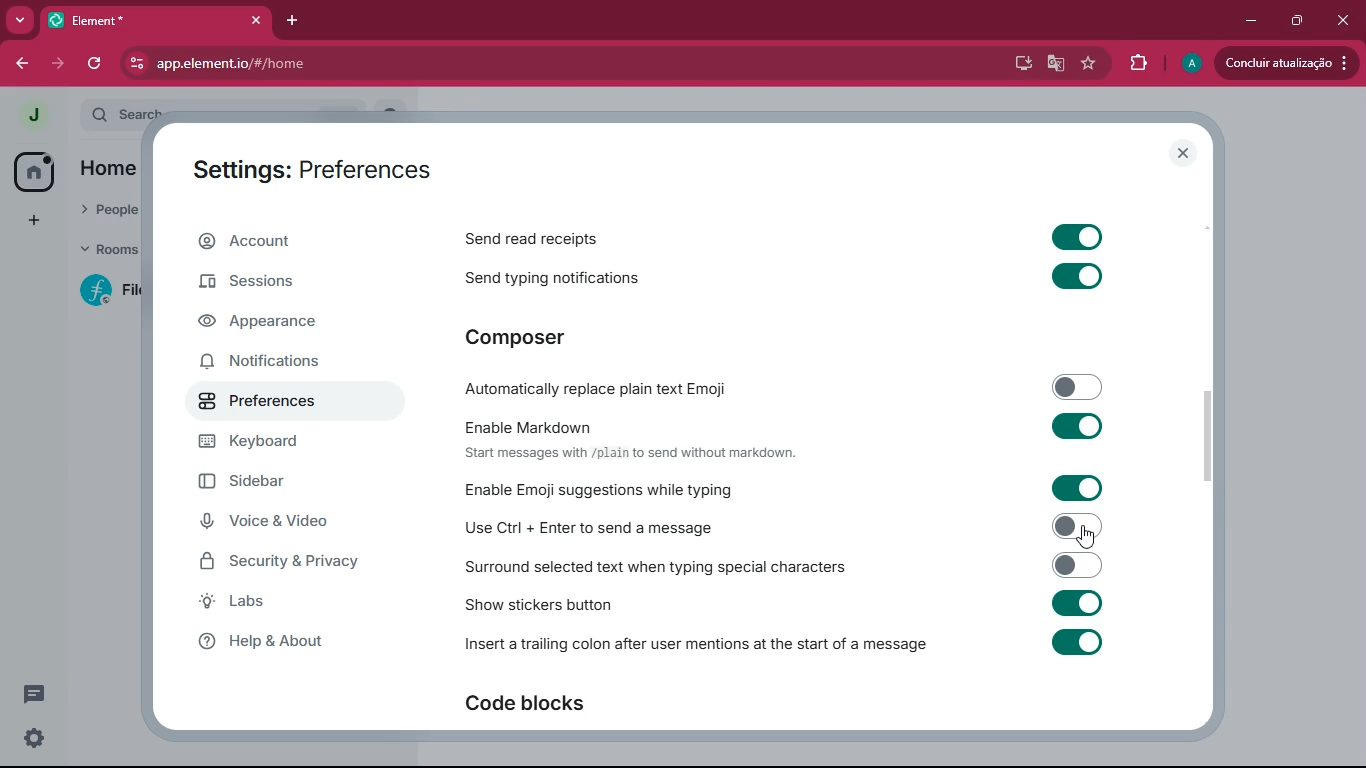 The height and width of the screenshot is (768, 1366). Describe the element at coordinates (602, 391) in the screenshot. I see `automatically replace` at that location.